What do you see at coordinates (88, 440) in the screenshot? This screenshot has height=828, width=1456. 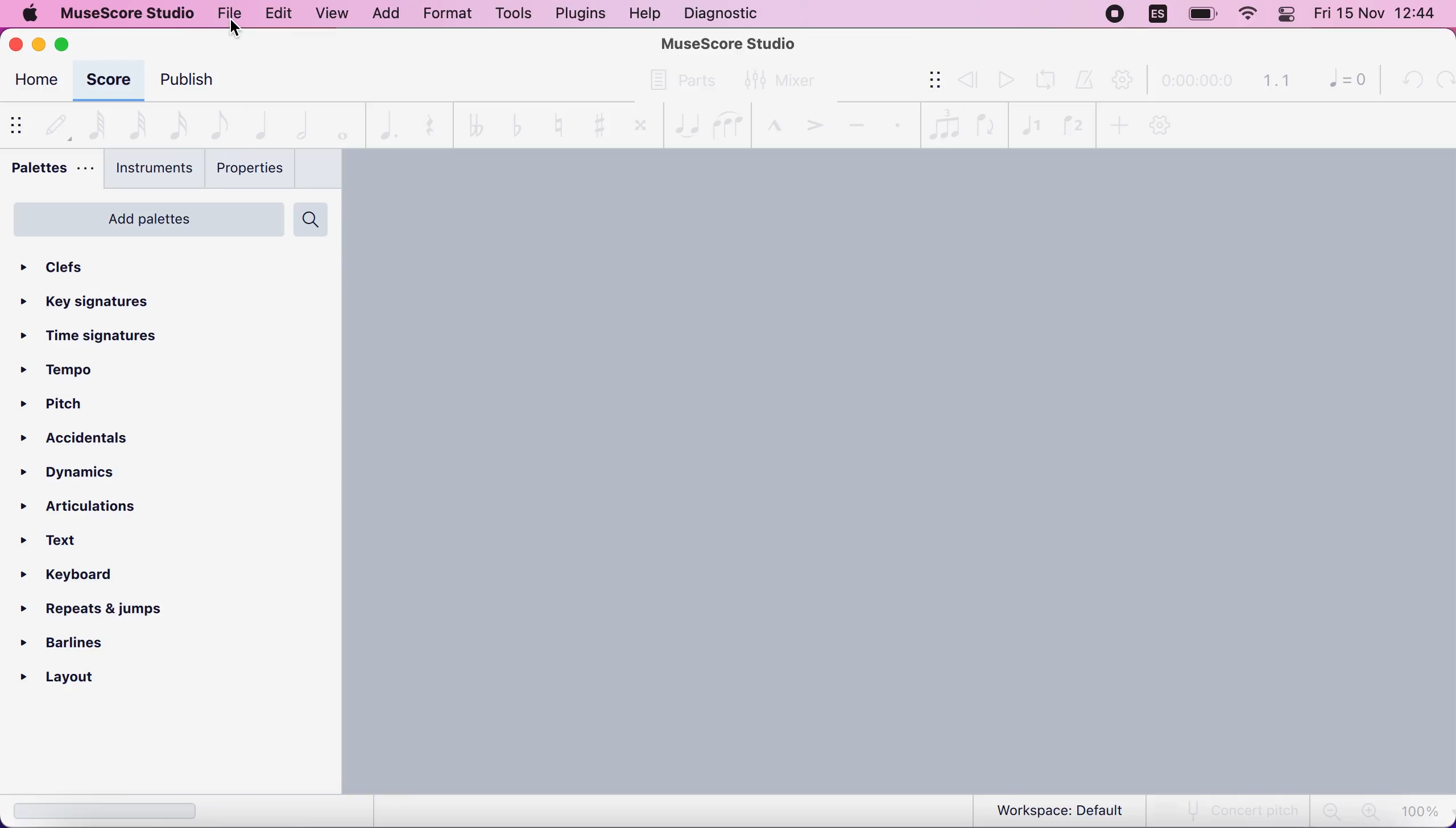 I see `accidentals` at bounding box center [88, 440].